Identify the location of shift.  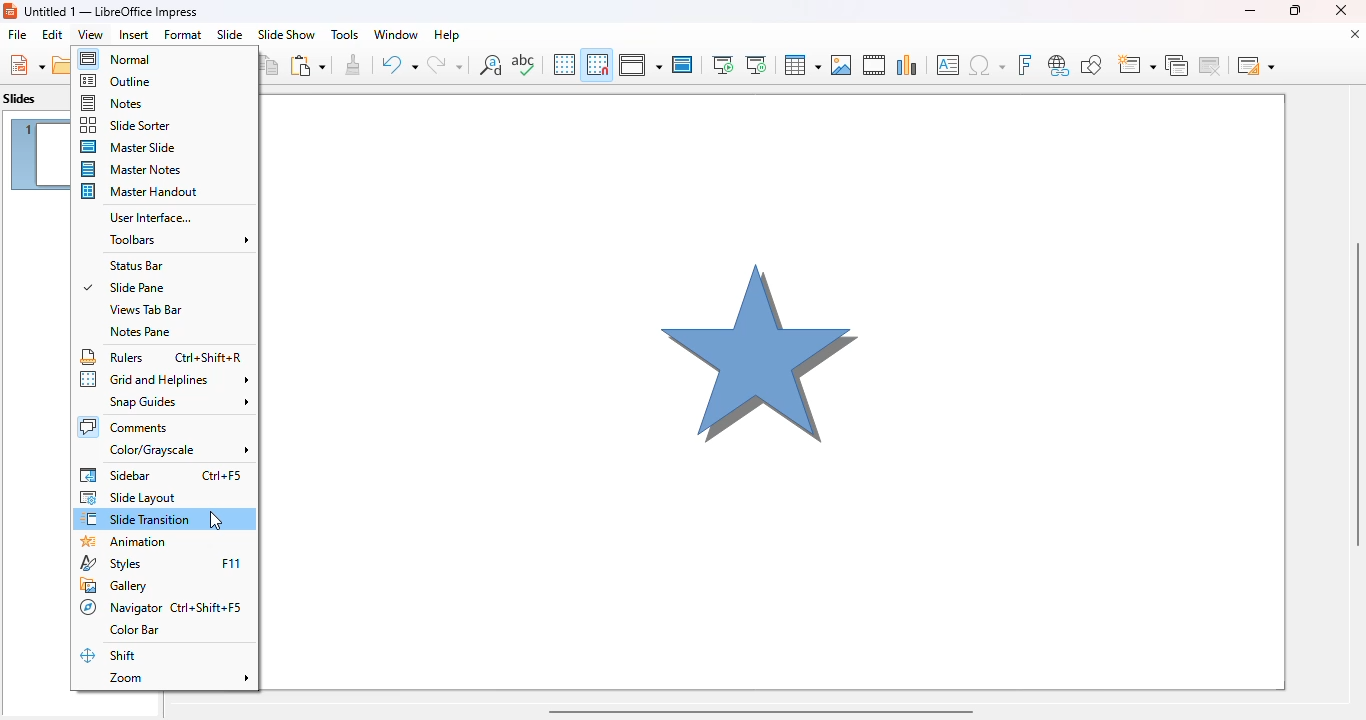
(109, 655).